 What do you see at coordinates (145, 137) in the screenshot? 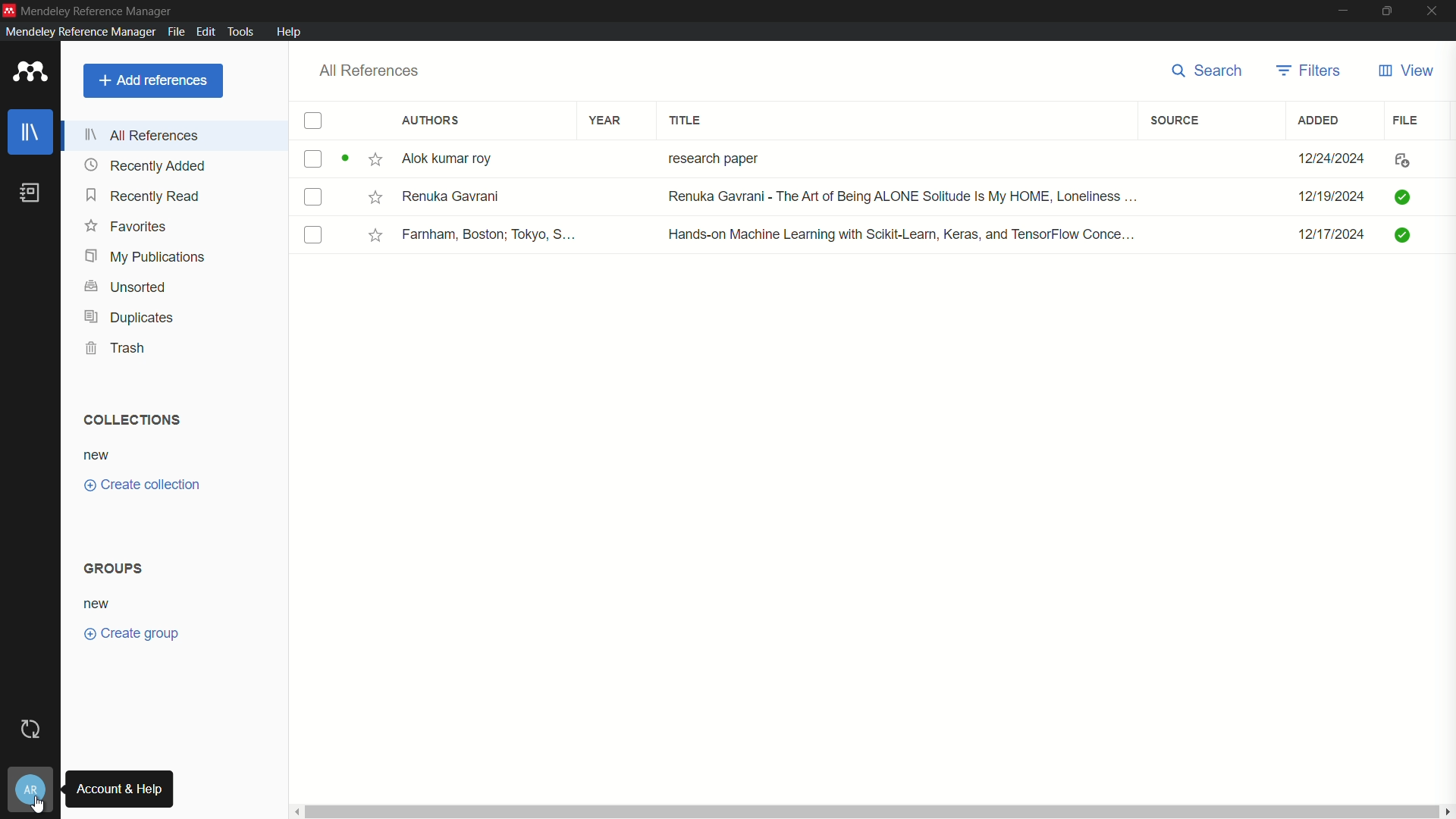
I see `all references` at bounding box center [145, 137].